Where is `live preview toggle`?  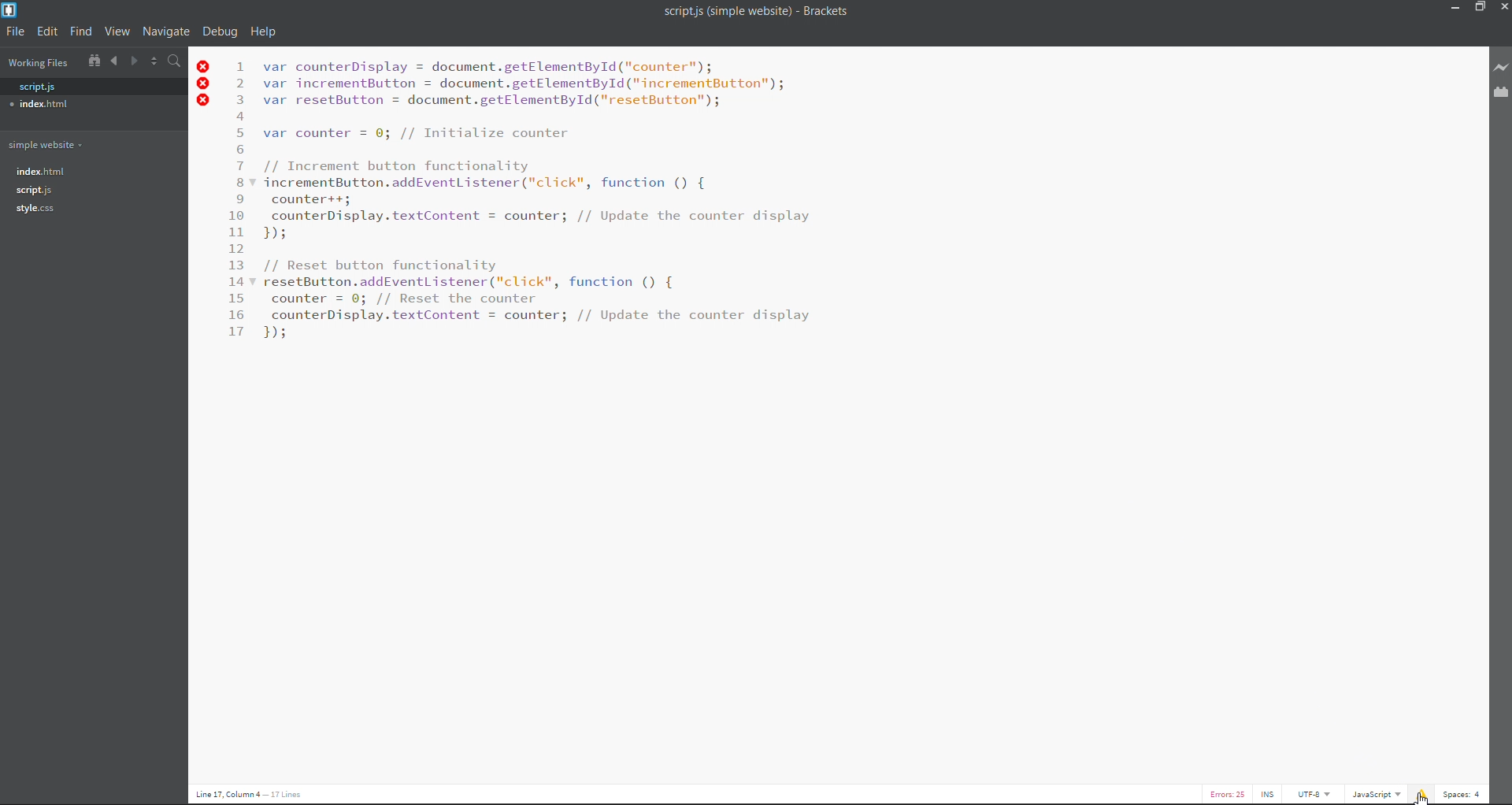 live preview toggle is located at coordinates (1503, 69).